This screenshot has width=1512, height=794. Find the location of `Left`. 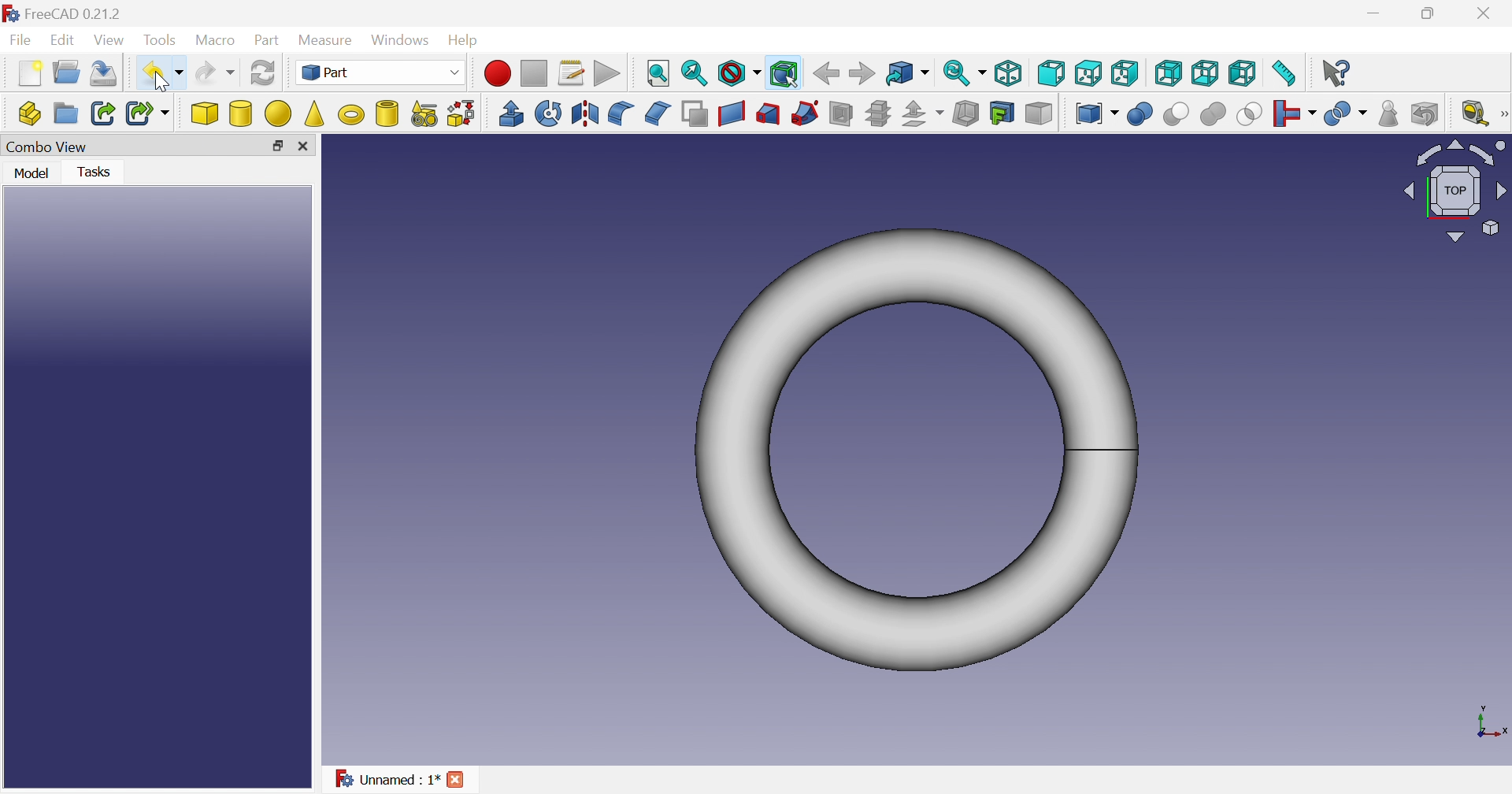

Left is located at coordinates (1243, 72).